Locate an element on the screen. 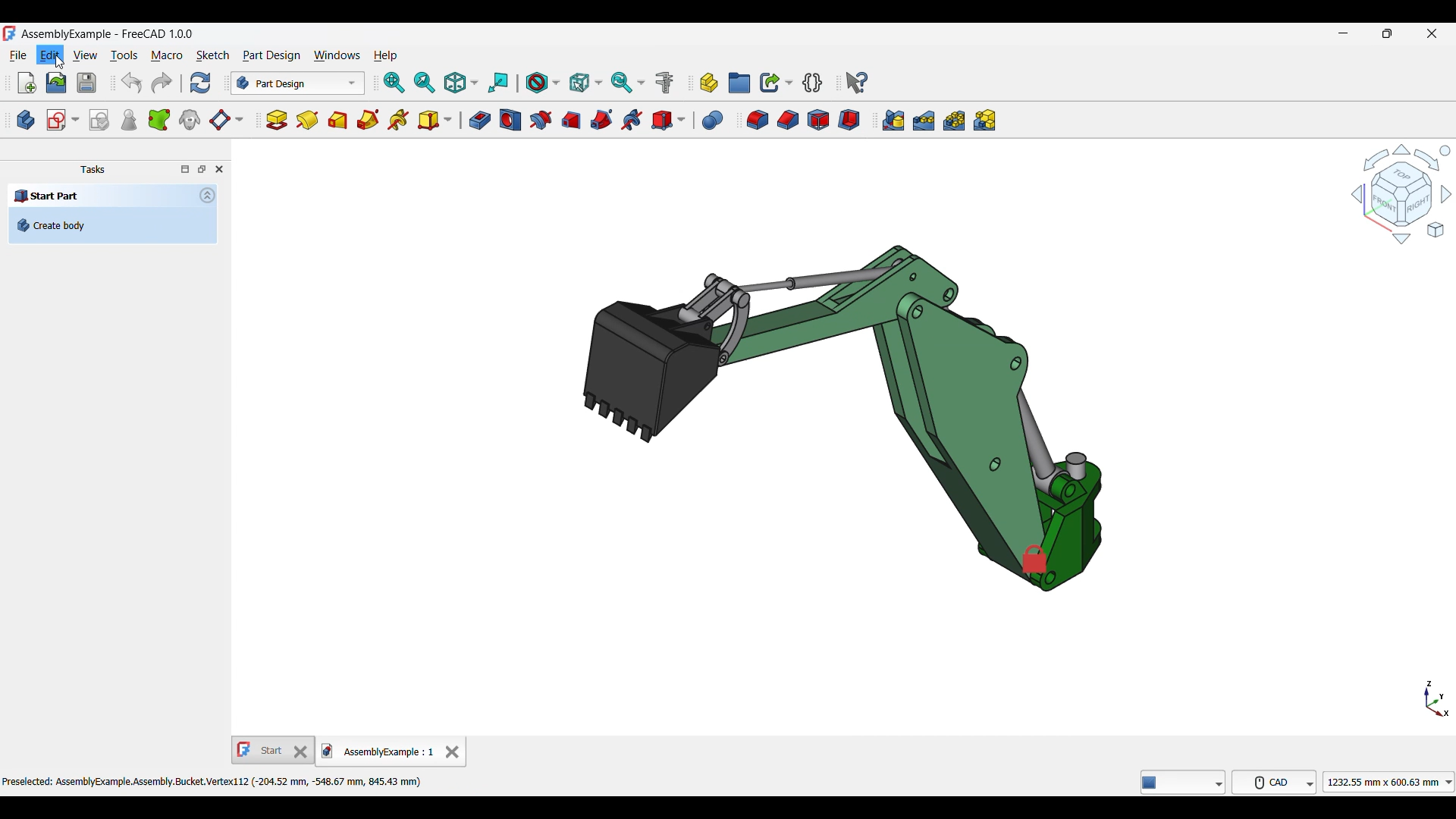 This screenshot has height=819, width=1456. Fit selection is located at coordinates (425, 83).